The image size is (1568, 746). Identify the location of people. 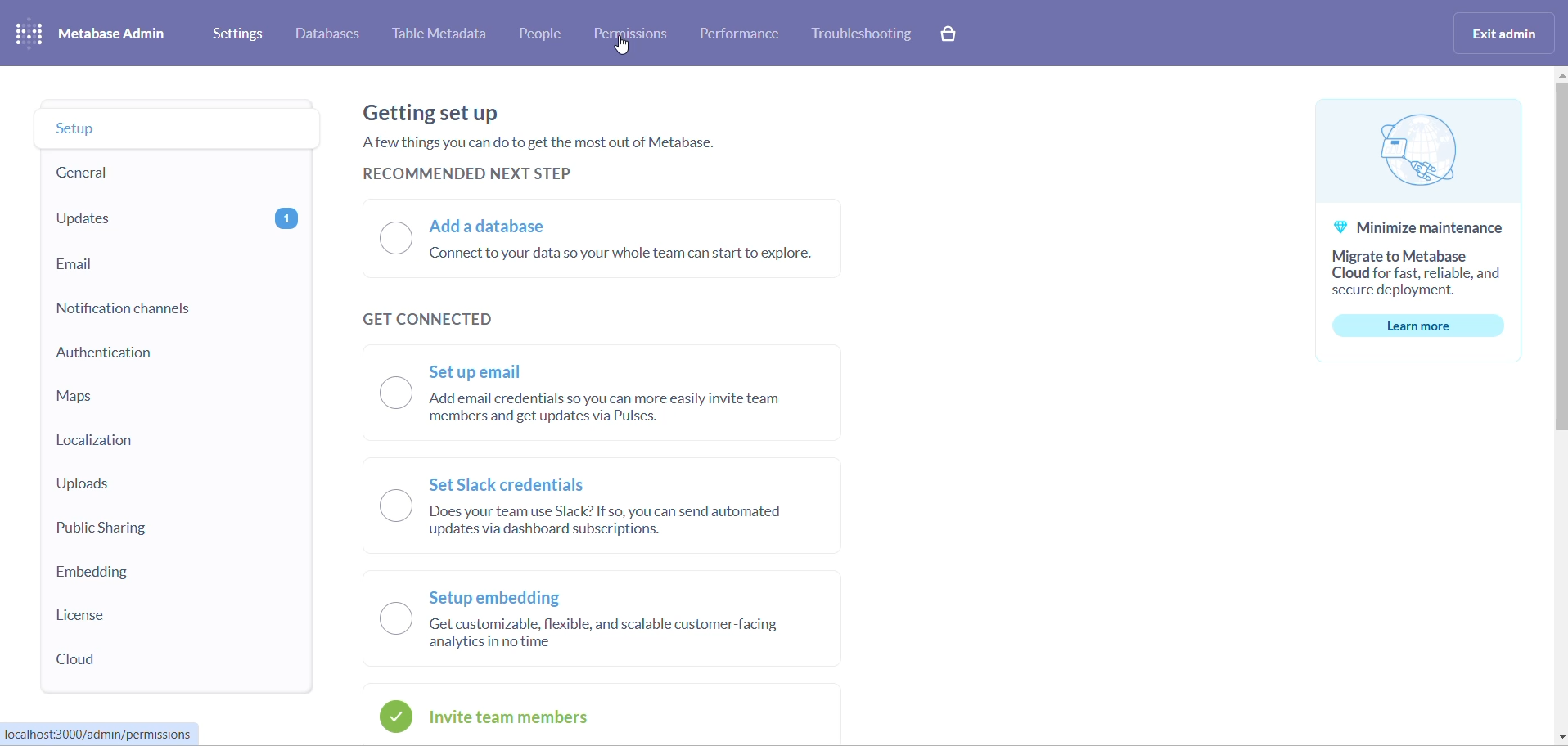
(547, 36).